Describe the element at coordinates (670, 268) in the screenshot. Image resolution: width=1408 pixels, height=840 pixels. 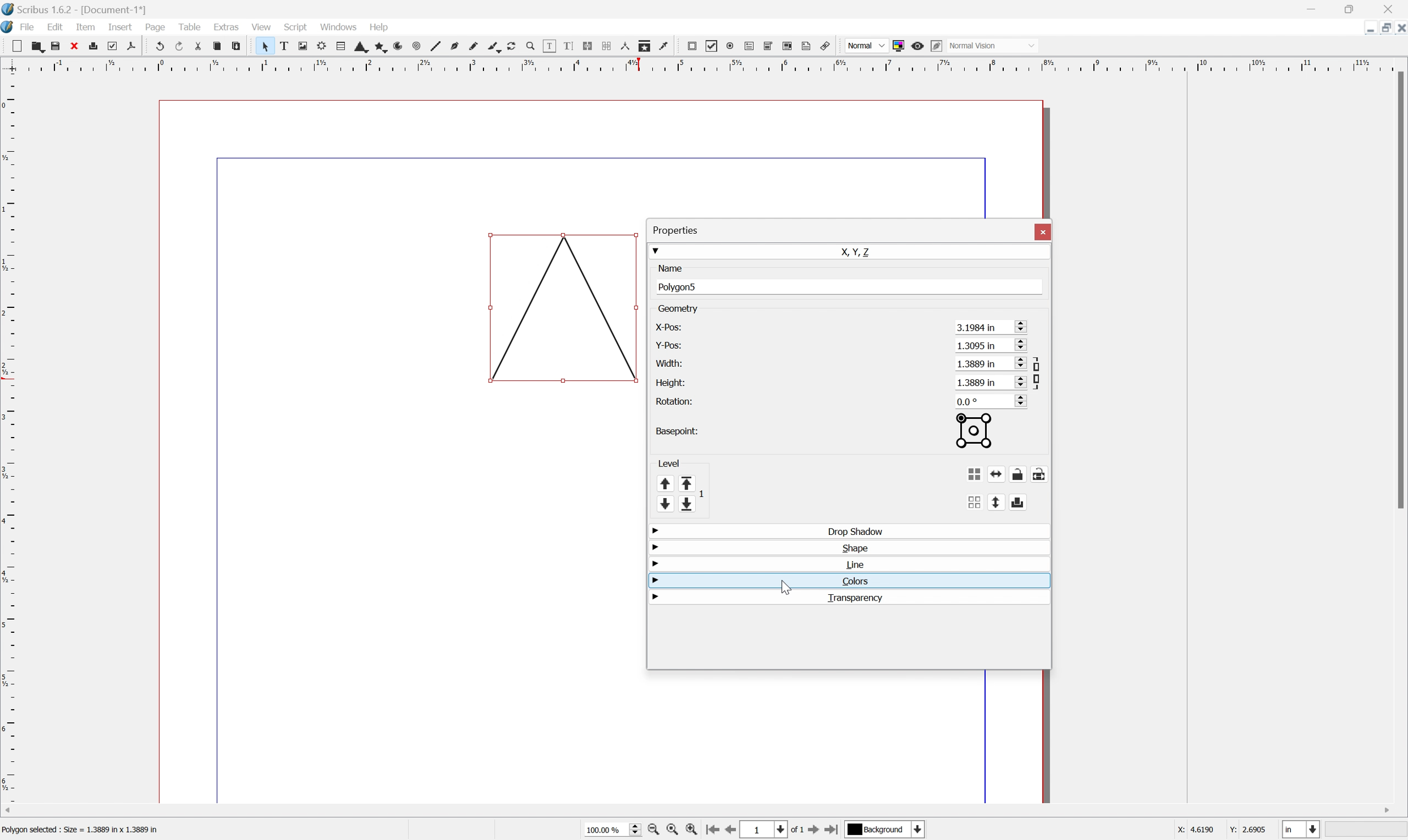
I see `Name` at that location.